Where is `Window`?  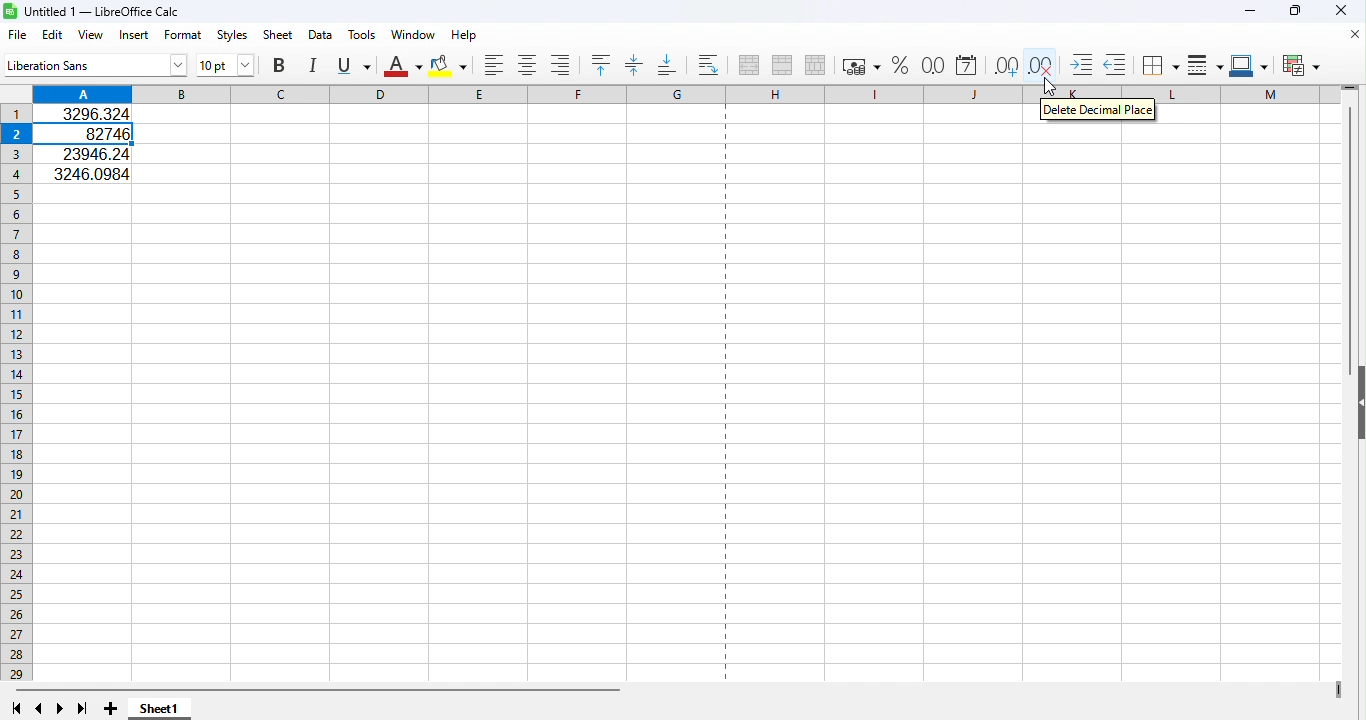 Window is located at coordinates (413, 34).